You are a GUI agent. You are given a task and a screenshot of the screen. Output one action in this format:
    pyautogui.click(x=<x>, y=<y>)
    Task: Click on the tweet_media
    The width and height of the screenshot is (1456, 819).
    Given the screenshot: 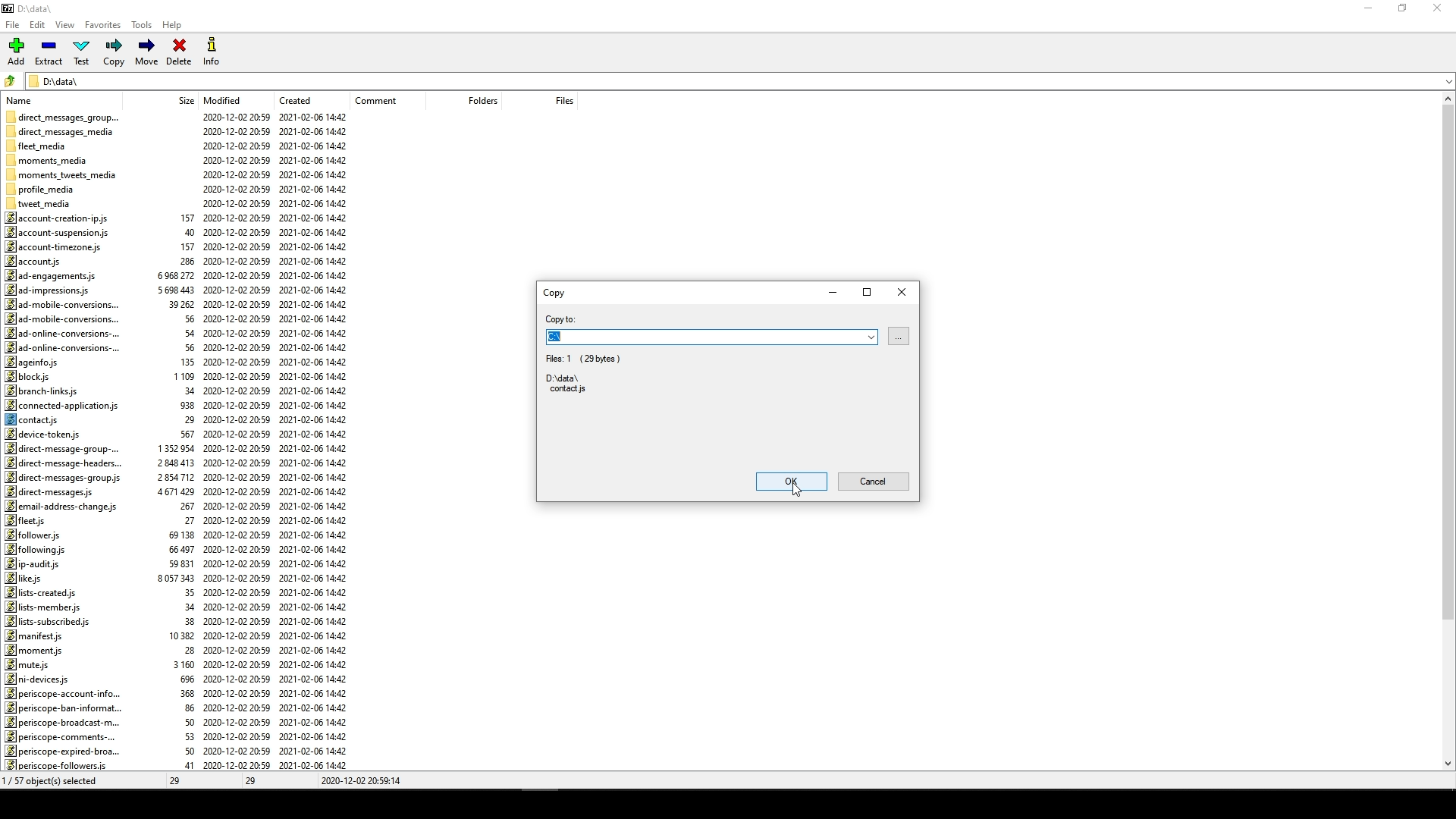 What is the action you would take?
    pyautogui.click(x=47, y=203)
    